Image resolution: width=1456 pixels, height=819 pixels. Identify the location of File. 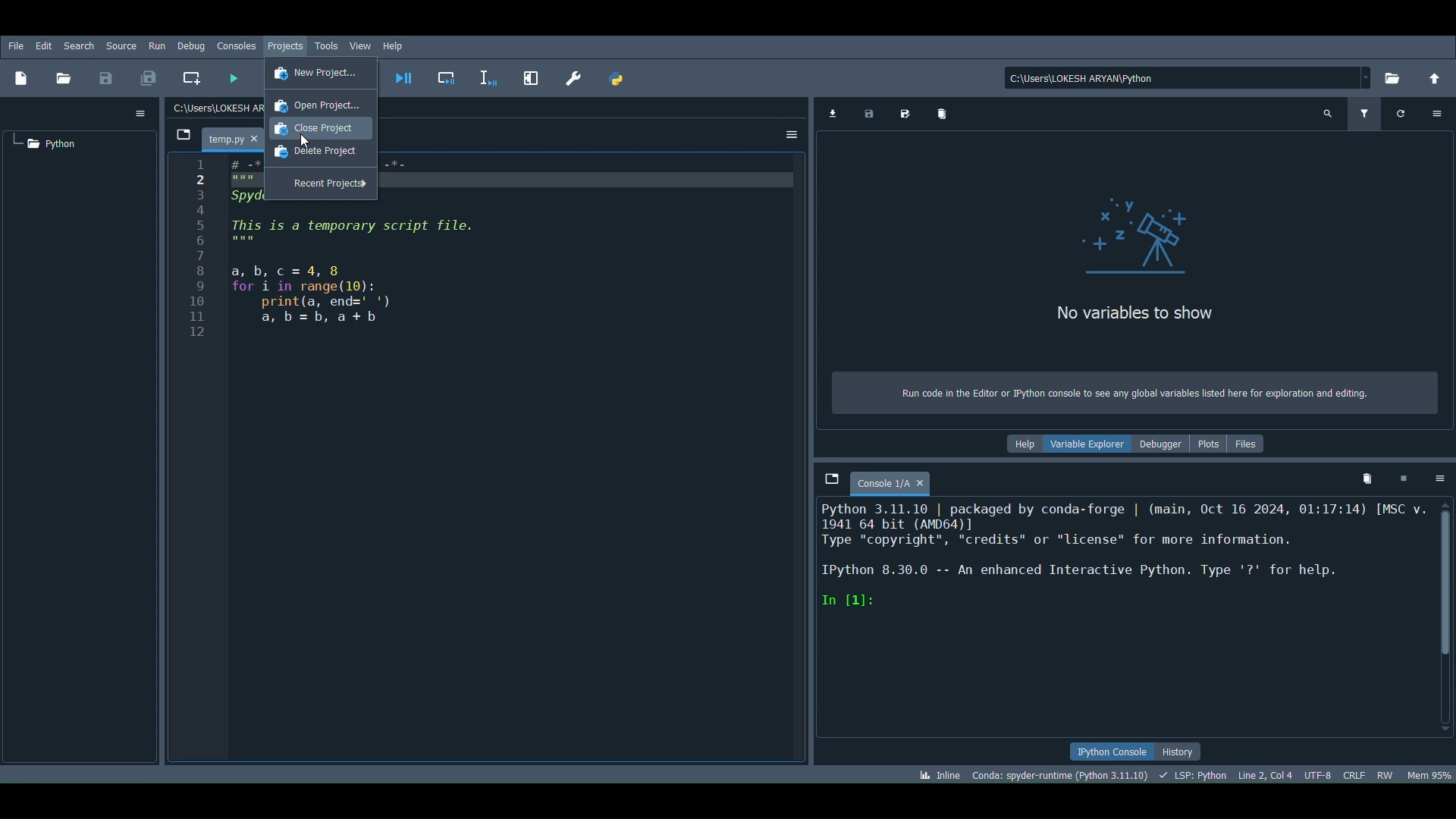
(15, 45).